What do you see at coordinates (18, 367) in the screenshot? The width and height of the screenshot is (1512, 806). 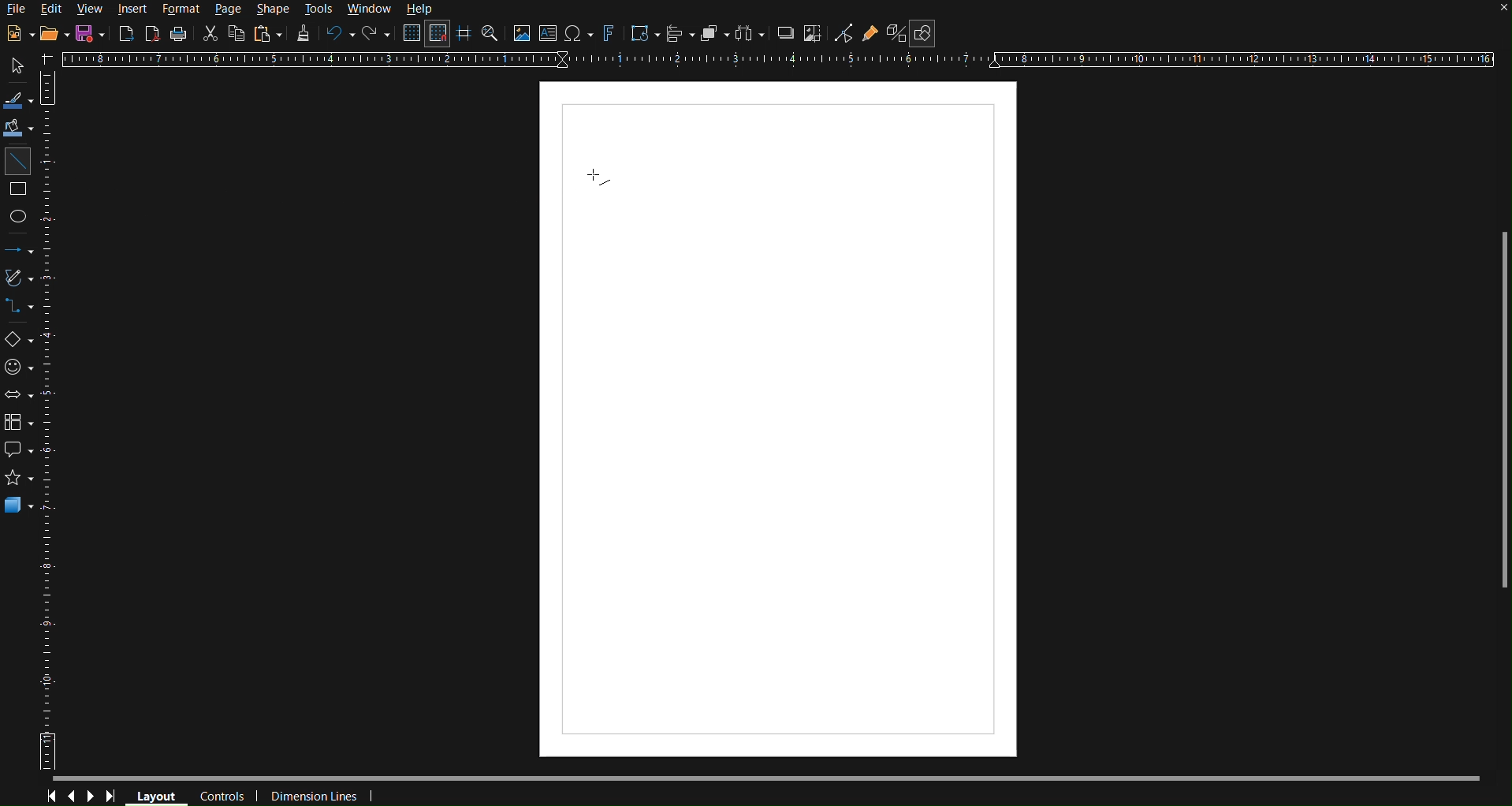 I see `Symbol Shapes` at bounding box center [18, 367].